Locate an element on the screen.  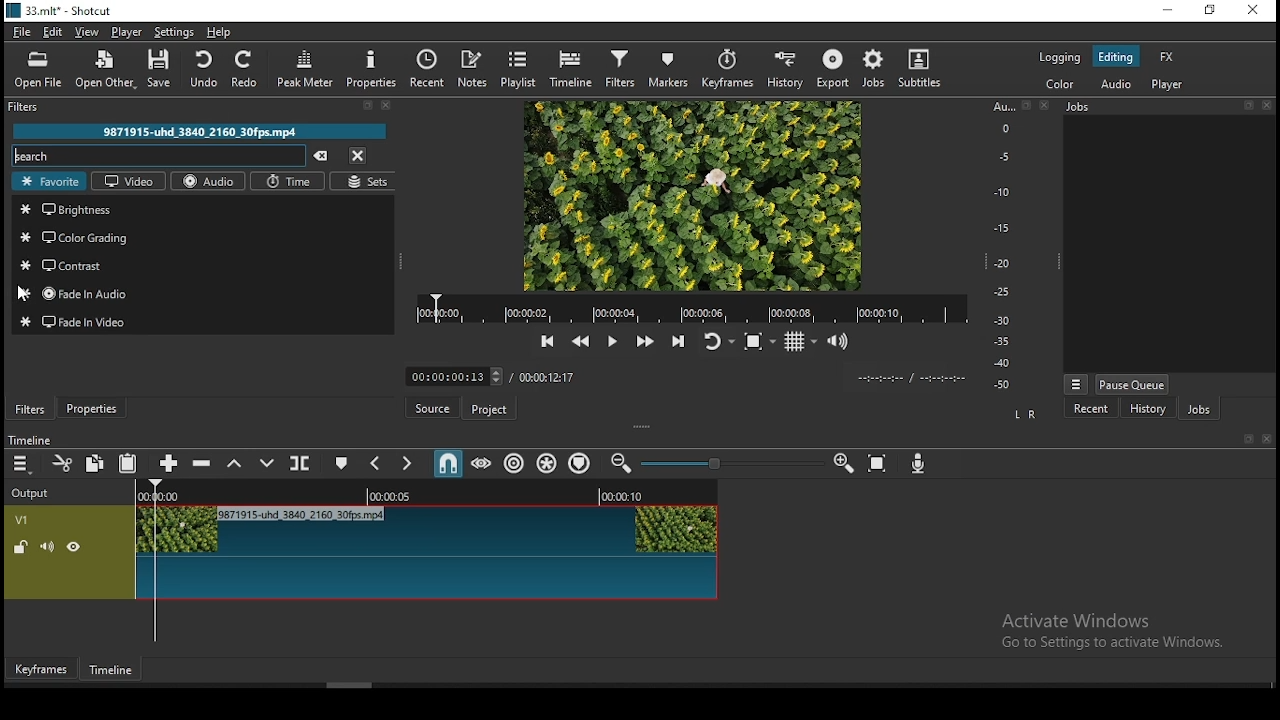
-20 is located at coordinates (1003, 261).